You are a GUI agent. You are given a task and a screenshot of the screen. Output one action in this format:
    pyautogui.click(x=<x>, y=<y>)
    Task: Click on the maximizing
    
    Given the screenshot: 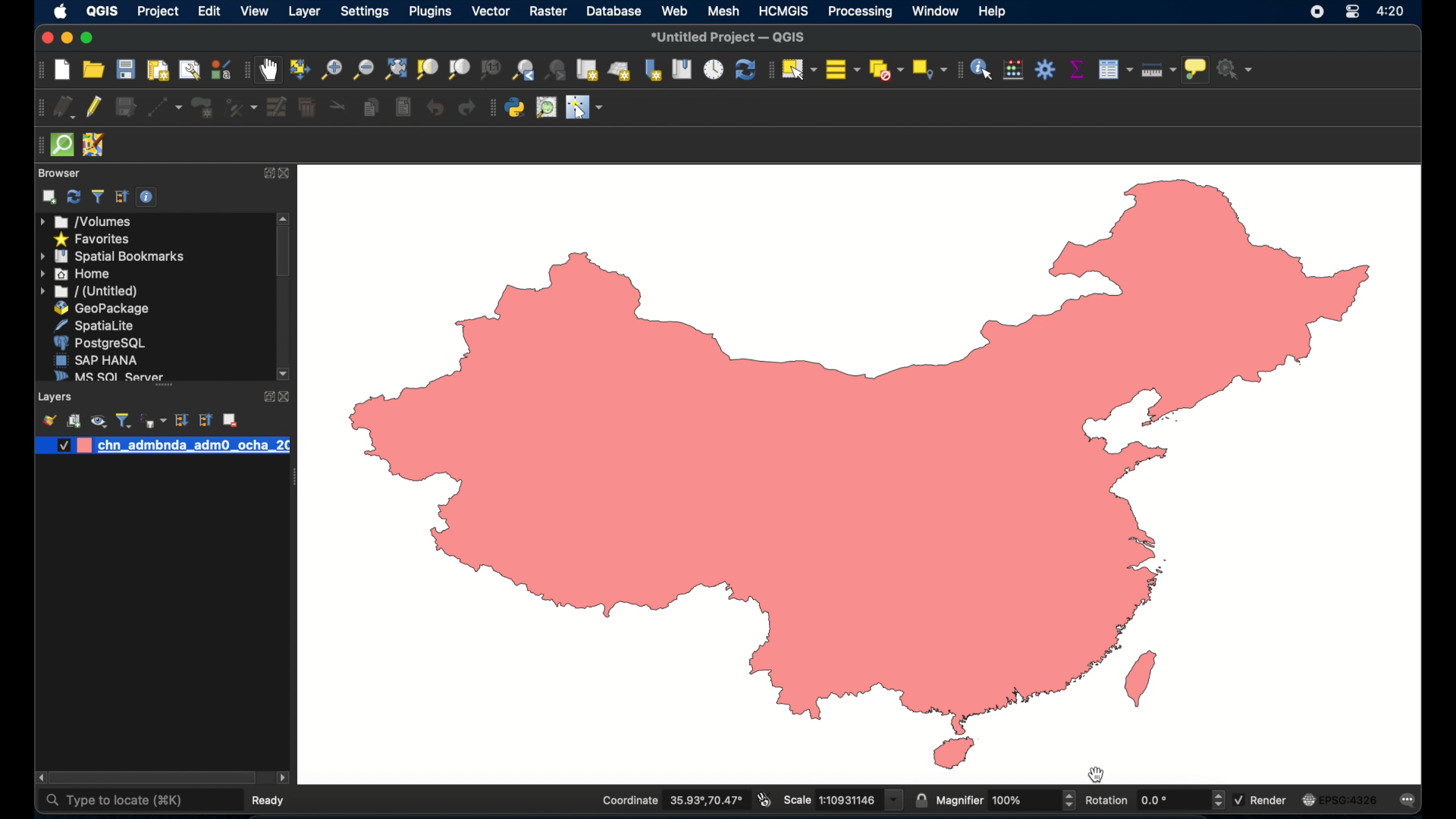 What is the action you would take?
    pyautogui.click(x=88, y=39)
    